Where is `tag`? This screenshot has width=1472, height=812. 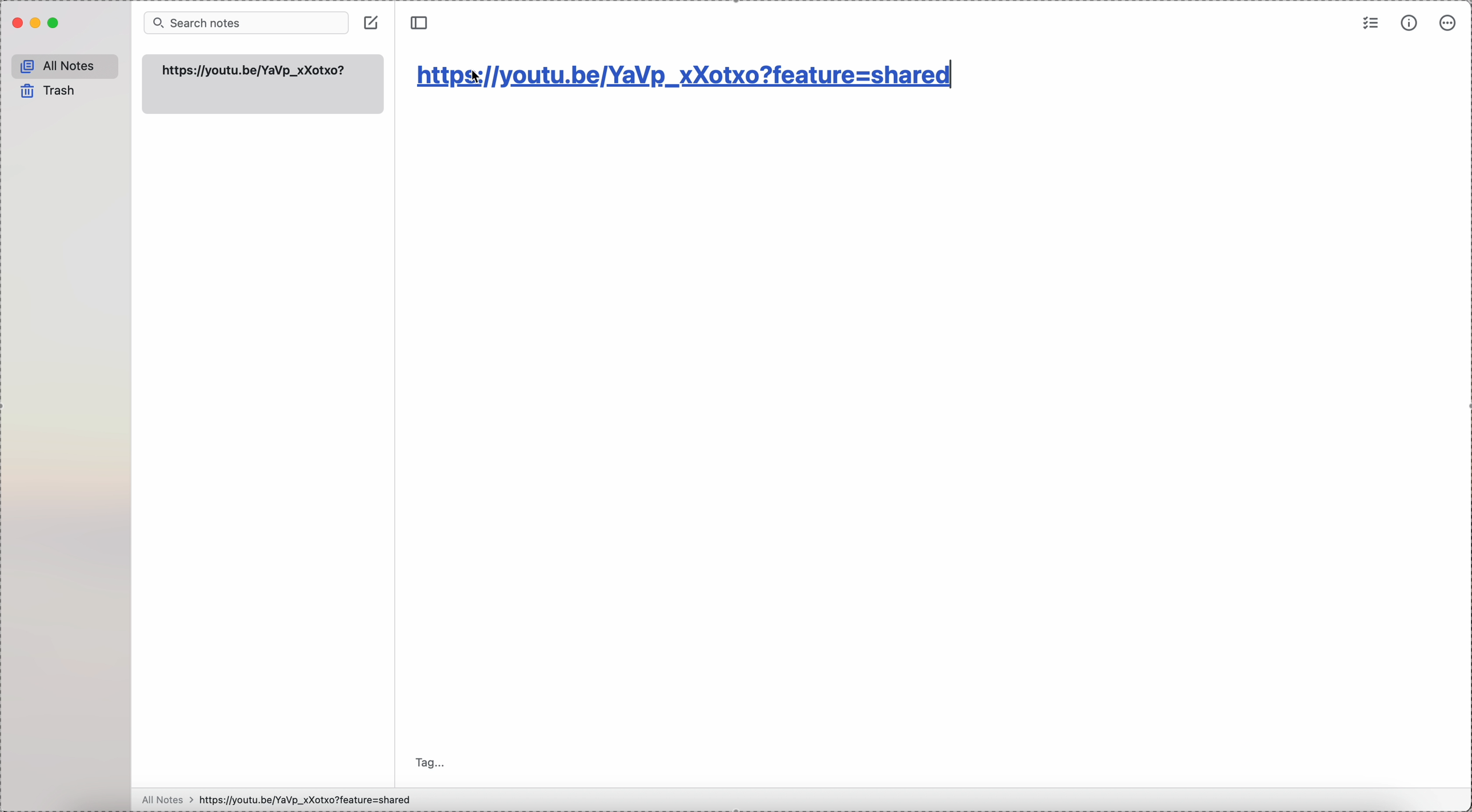 tag is located at coordinates (431, 763).